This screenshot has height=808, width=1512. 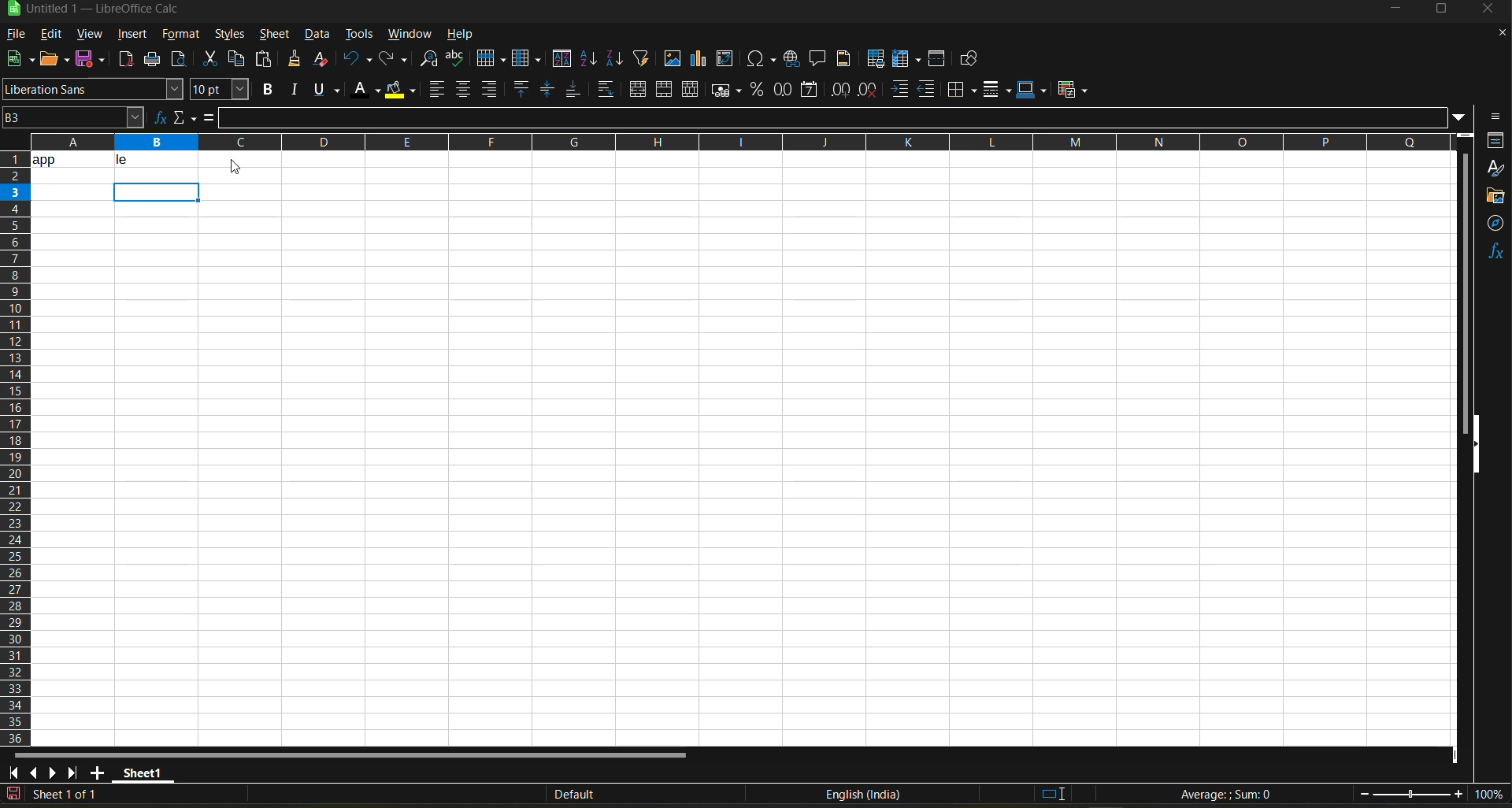 I want to click on find and replace, so click(x=429, y=61).